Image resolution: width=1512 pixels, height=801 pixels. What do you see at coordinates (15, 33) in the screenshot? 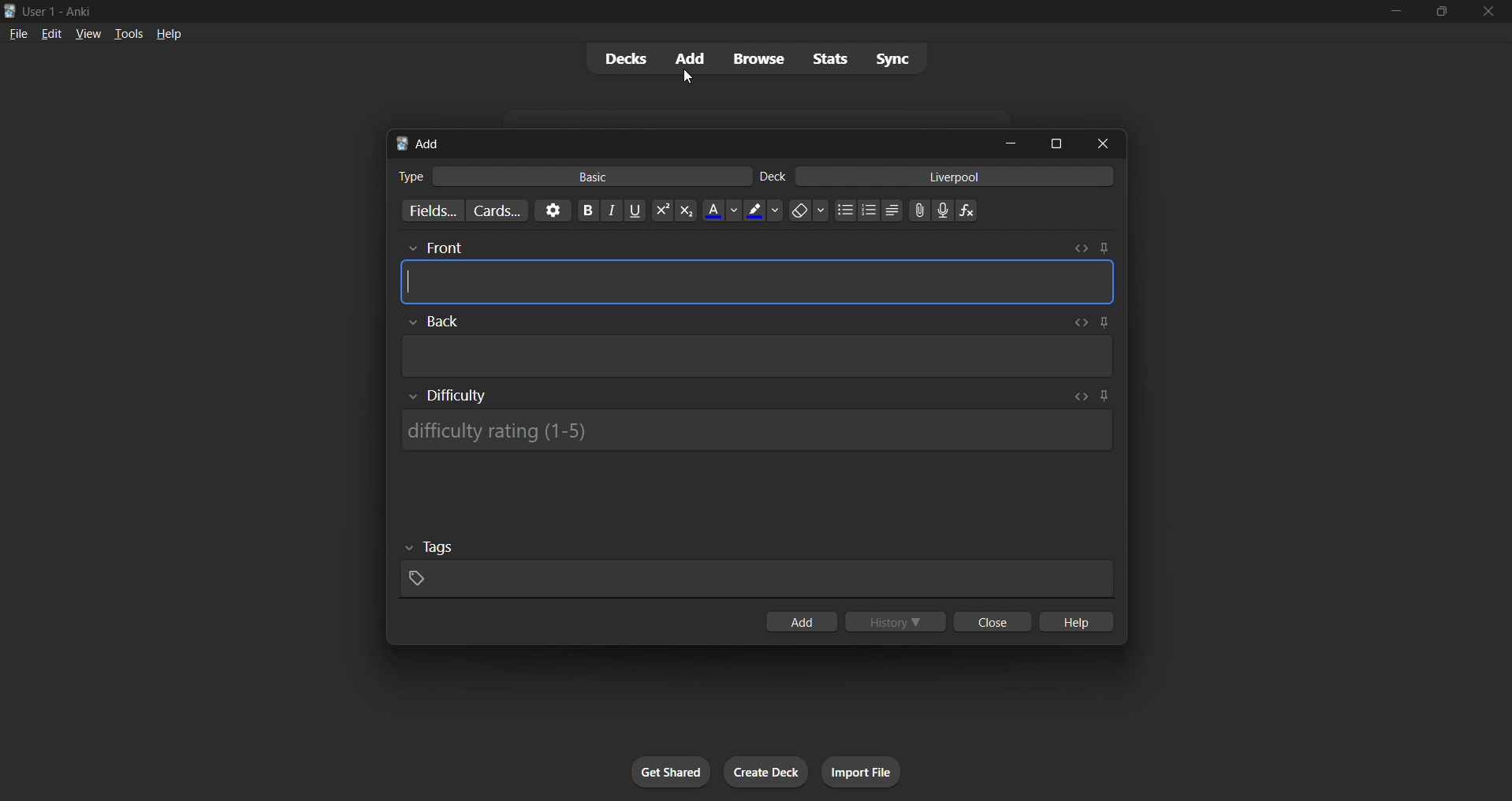
I see `file` at bounding box center [15, 33].